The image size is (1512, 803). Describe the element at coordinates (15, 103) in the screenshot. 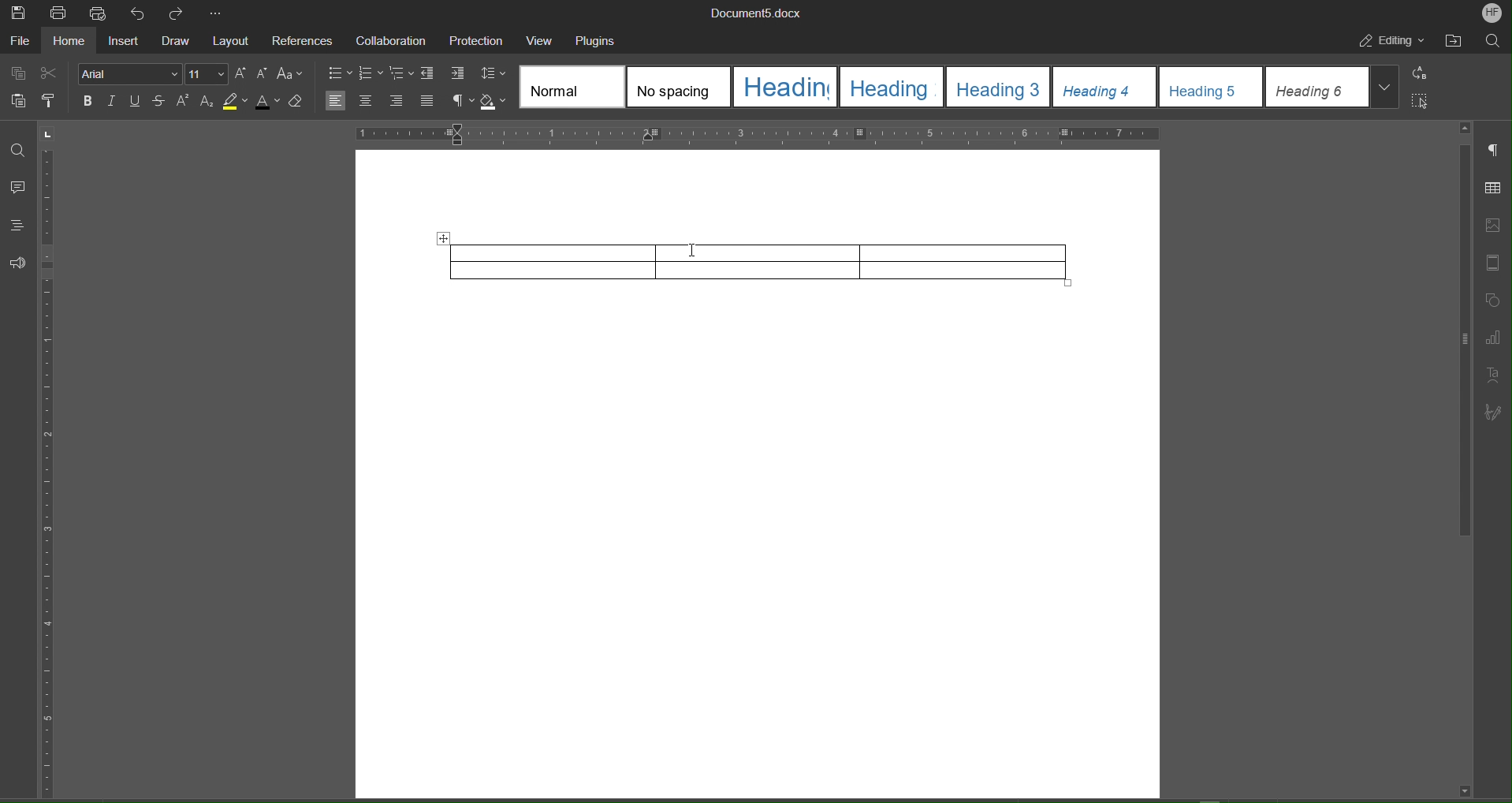

I see `Paste` at that location.